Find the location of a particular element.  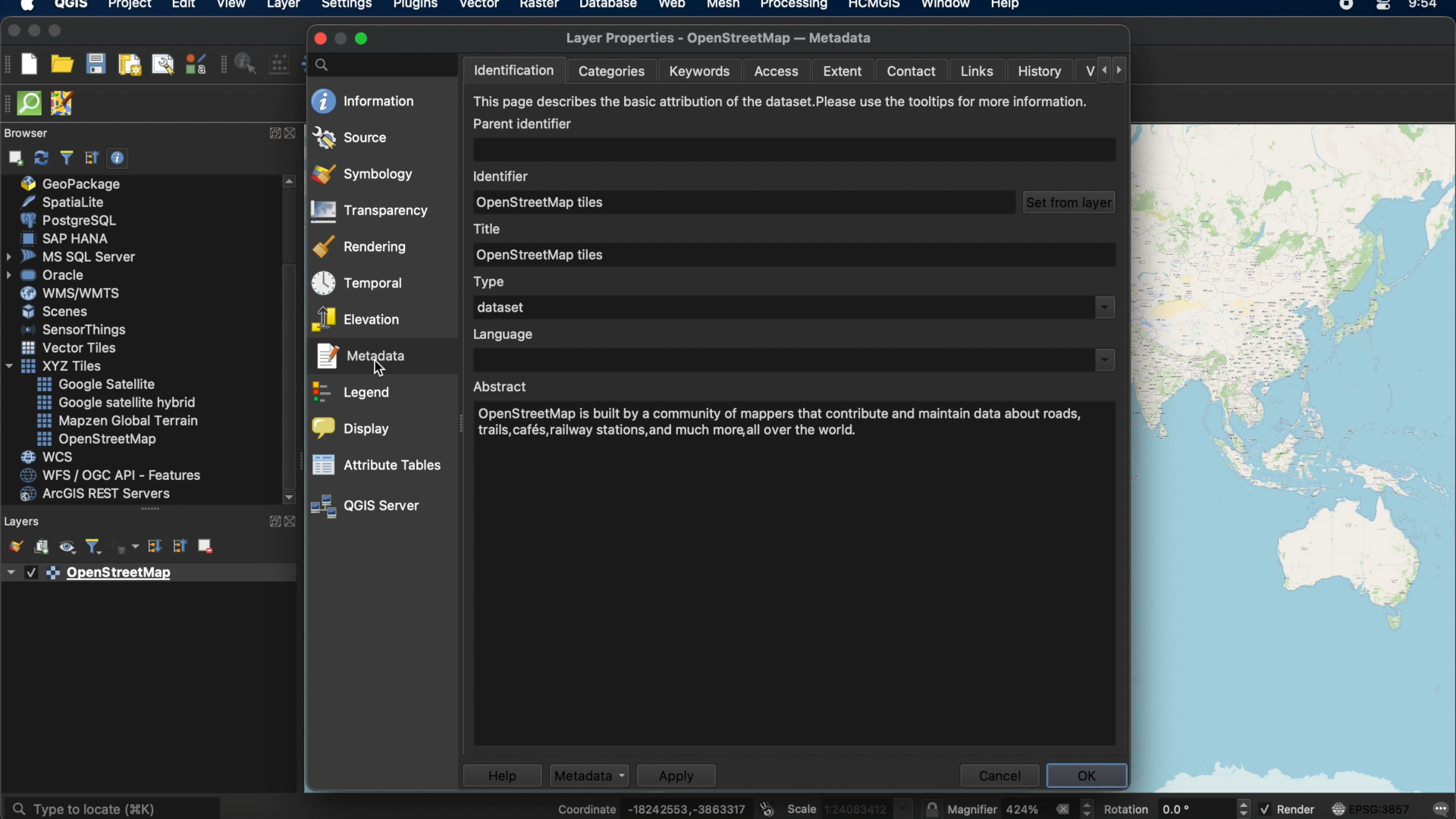

inactive minimize icon is located at coordinates (342, 41).